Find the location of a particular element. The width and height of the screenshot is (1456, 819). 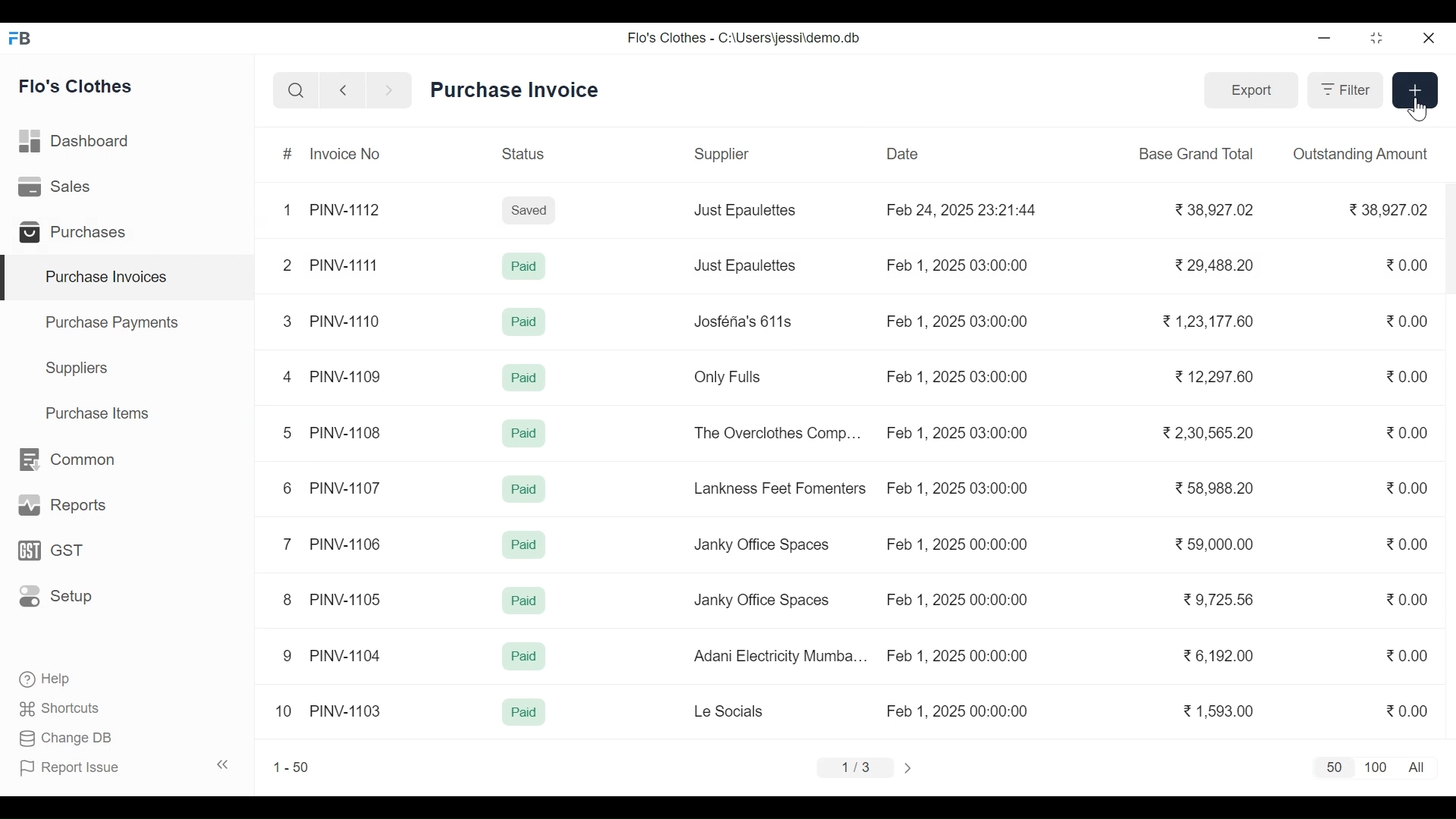

59,000.00 is located at coordinates (1215, 544).